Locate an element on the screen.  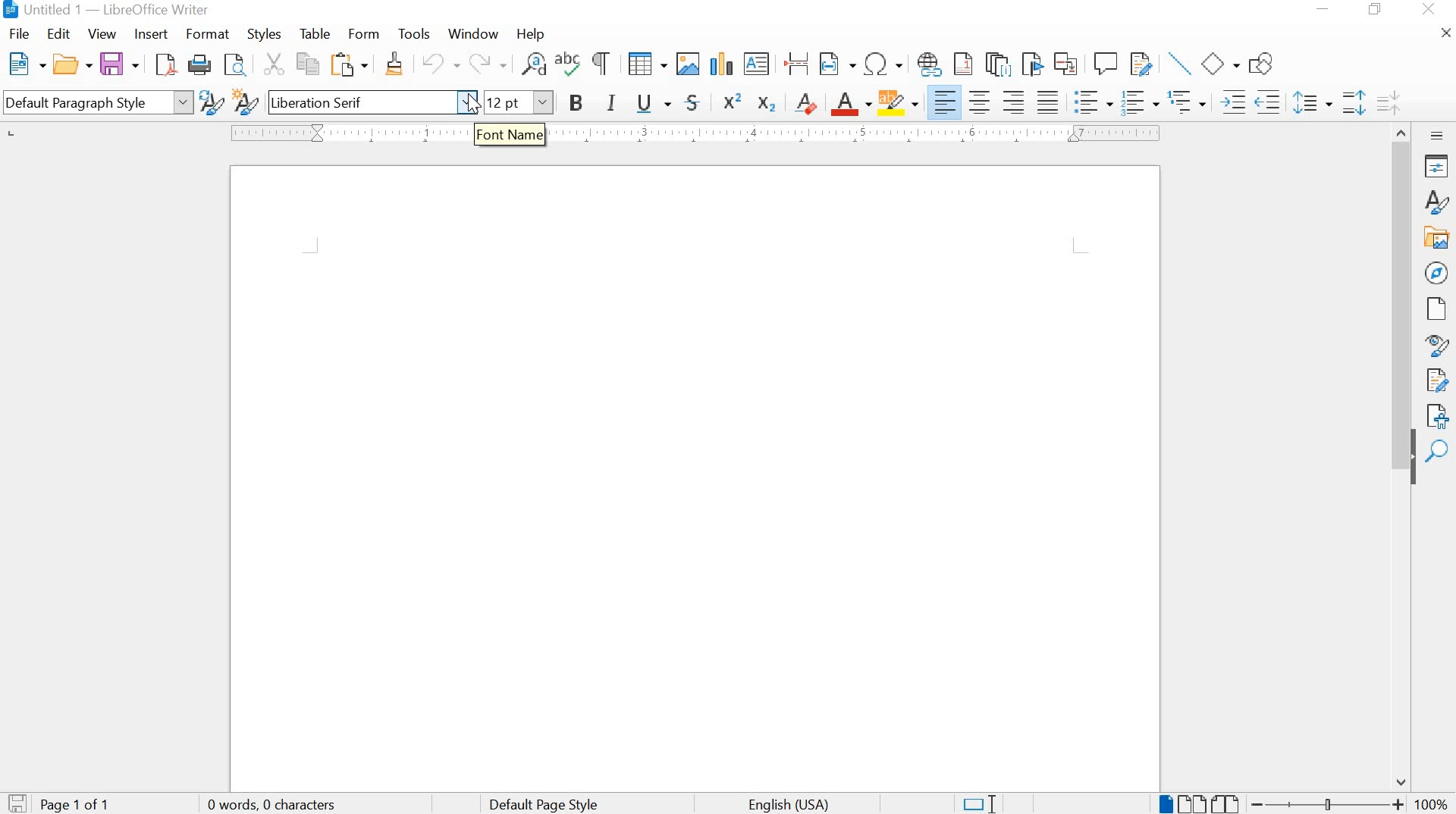
untitled 1 libre office is located at coordinates (111, 11).